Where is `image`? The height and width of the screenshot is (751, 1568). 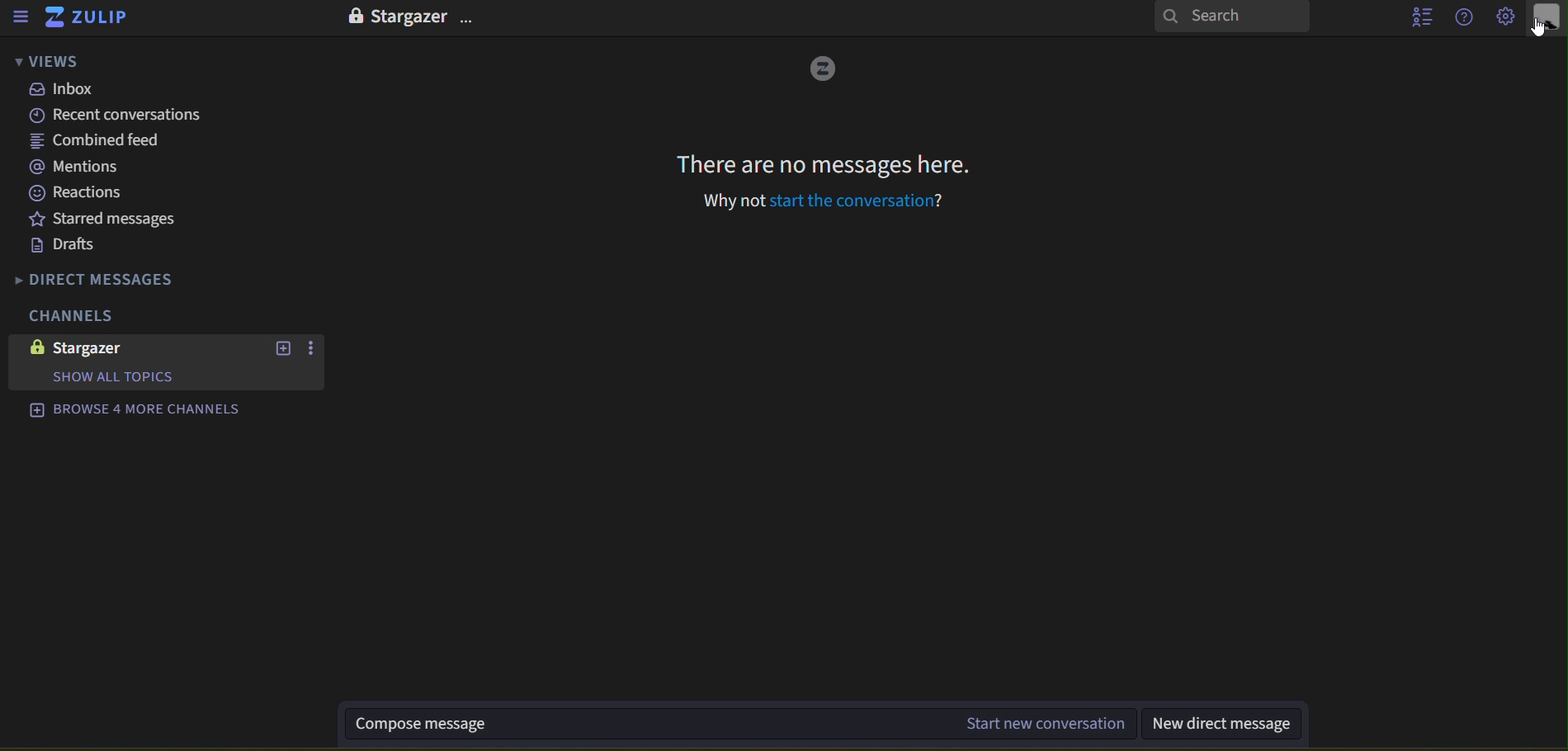 image is located at coordinates (824, 69).